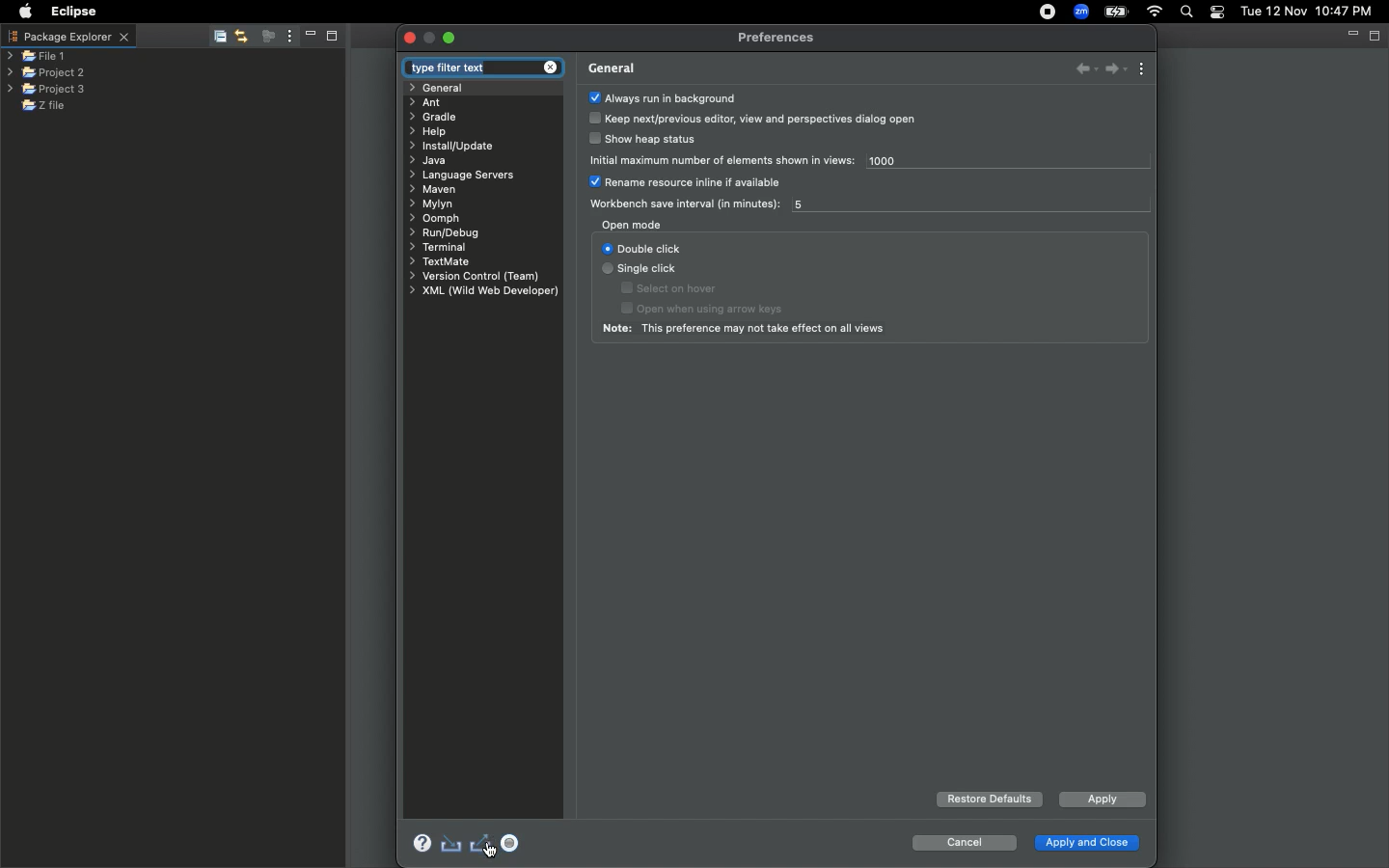 Image resolution: width=1389 pixels, height=868 pixels. Describe the element at coordinates (468, 176) in the screenshot. I see `Language servers` at that location.